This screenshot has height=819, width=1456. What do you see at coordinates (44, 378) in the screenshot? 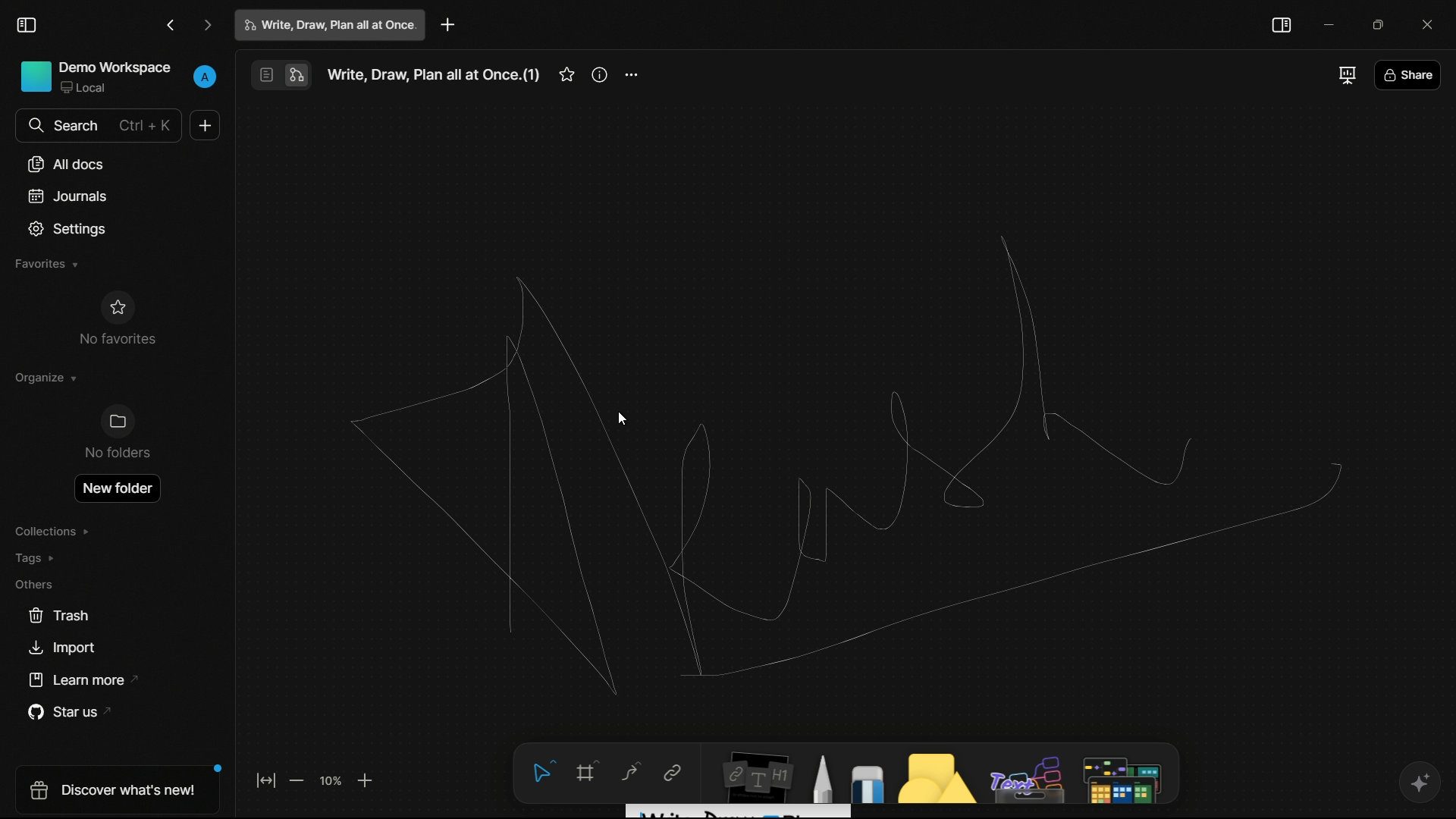
I see `organize` at bounding box center [44, 378].